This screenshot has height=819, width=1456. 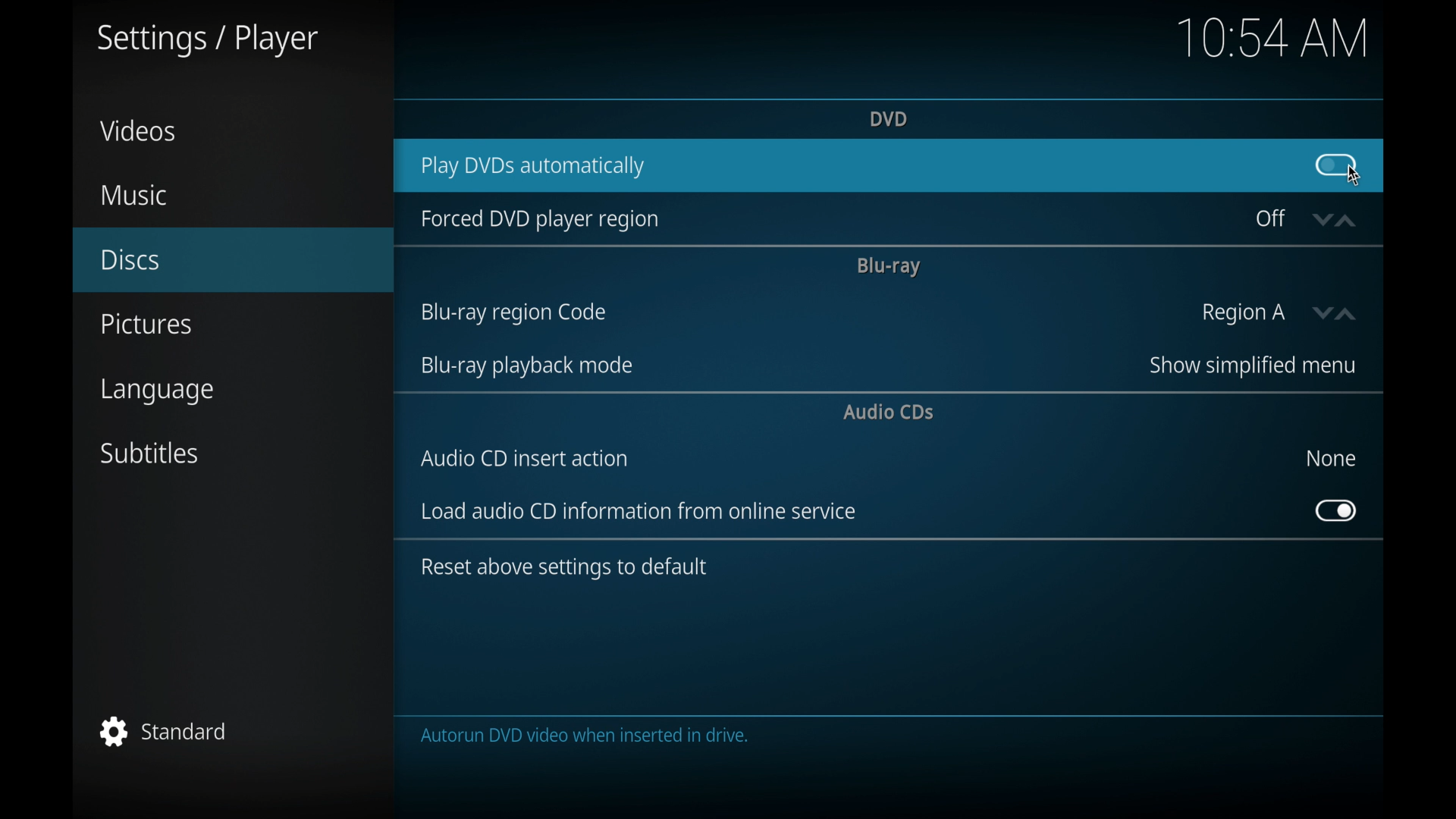 What do you see at coordinates (138, 130) in the screenshot?
I see `videos` at bounding box center [138, 130].